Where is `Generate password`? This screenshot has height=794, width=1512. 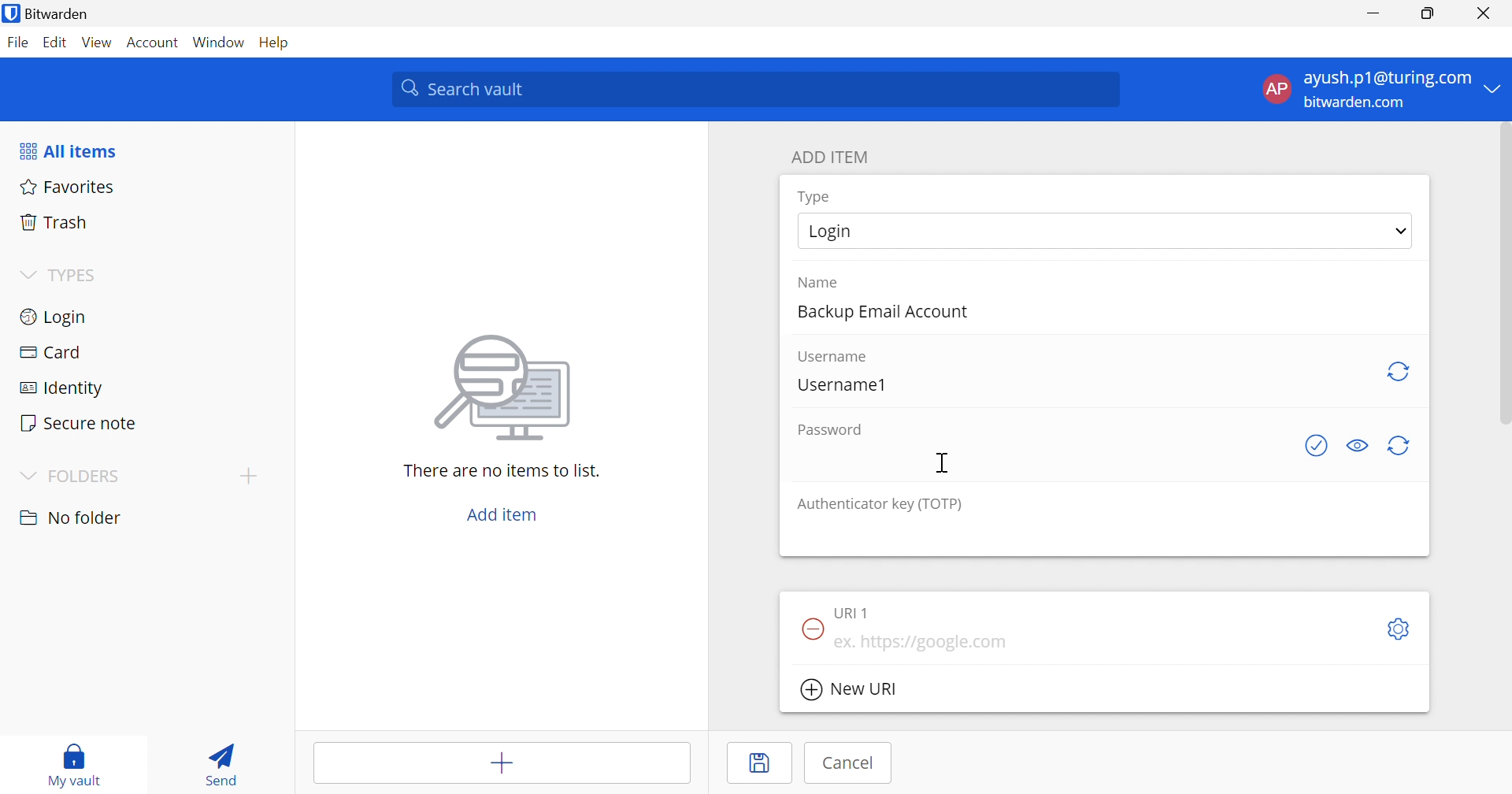 Generate password is located at coordinates (1399, 371).